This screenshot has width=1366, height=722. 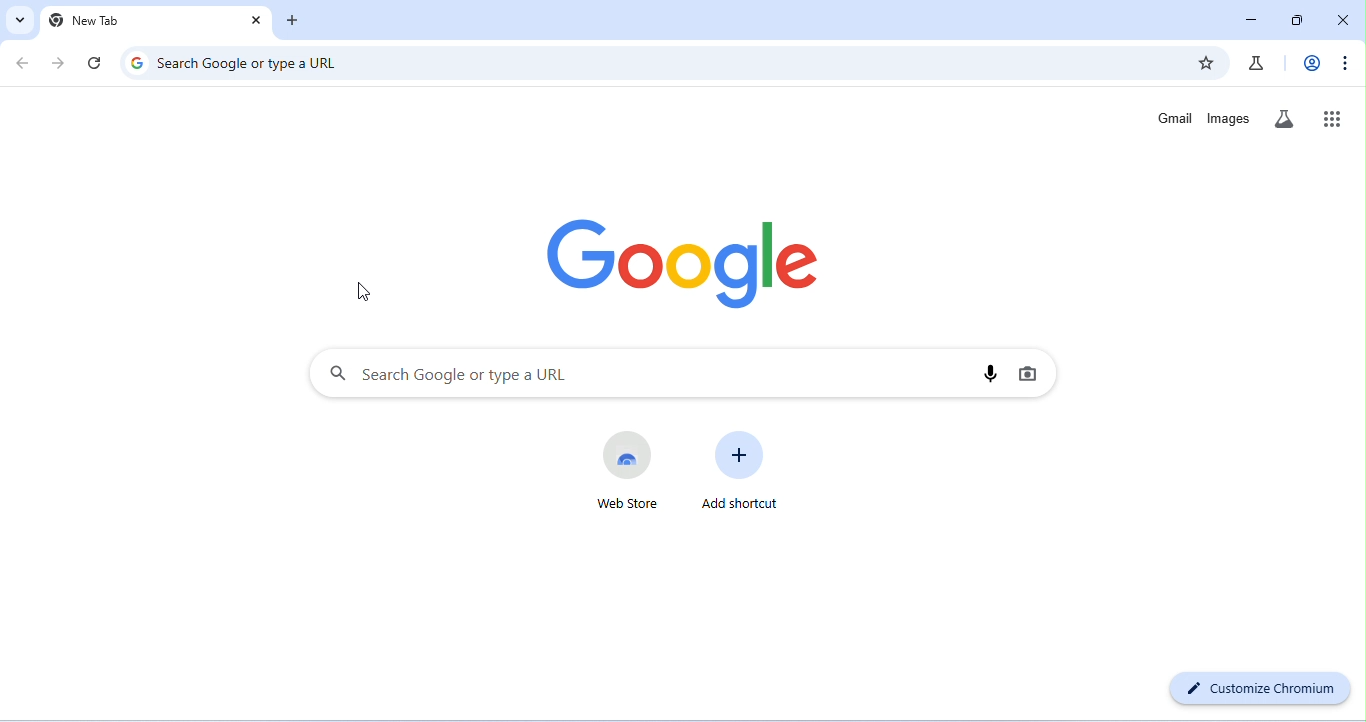 I want to click on customize and control chromium, so click(x=1343, y=63).